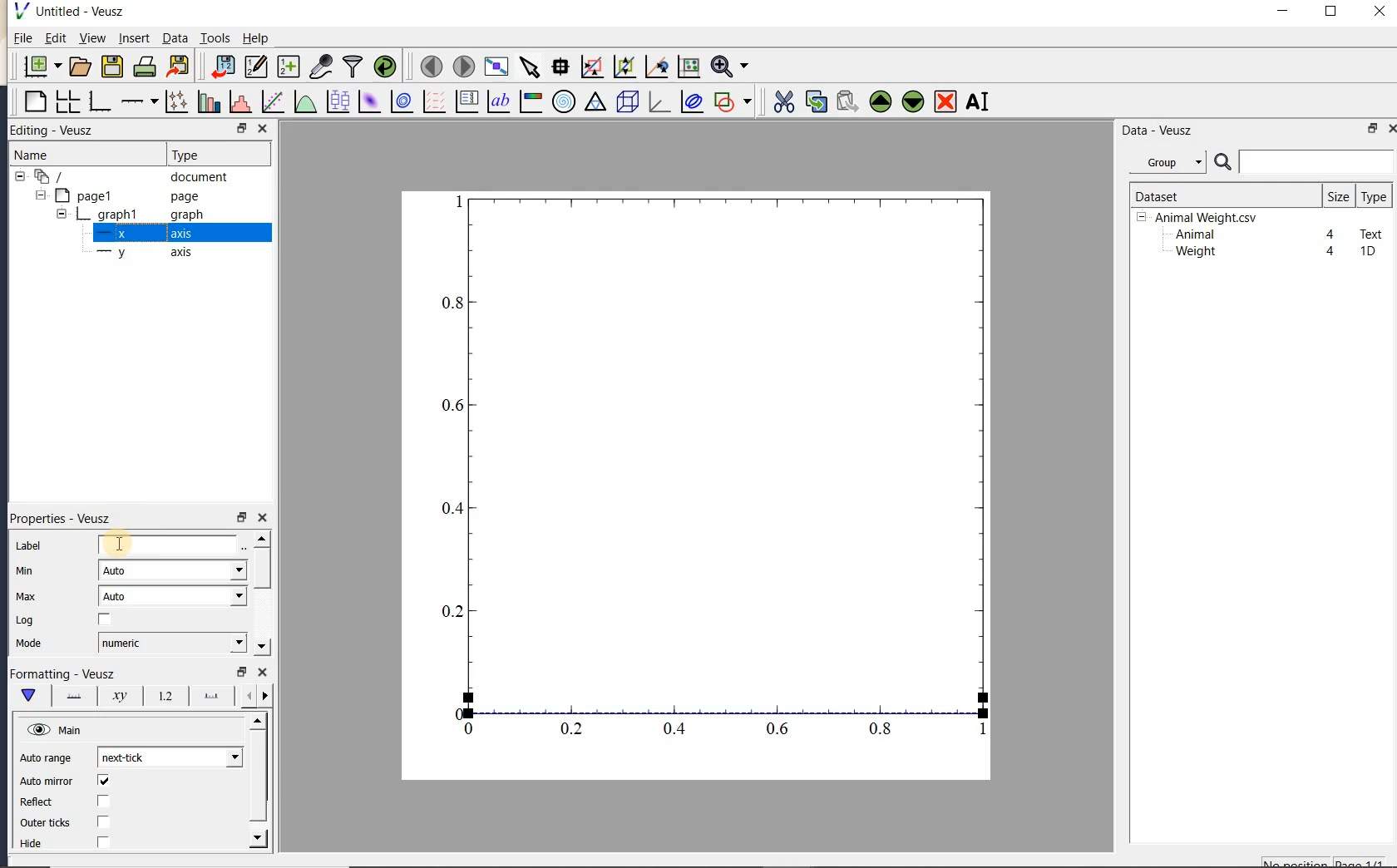  I want to click on select items from the graph or scroll, so click(531, 67).